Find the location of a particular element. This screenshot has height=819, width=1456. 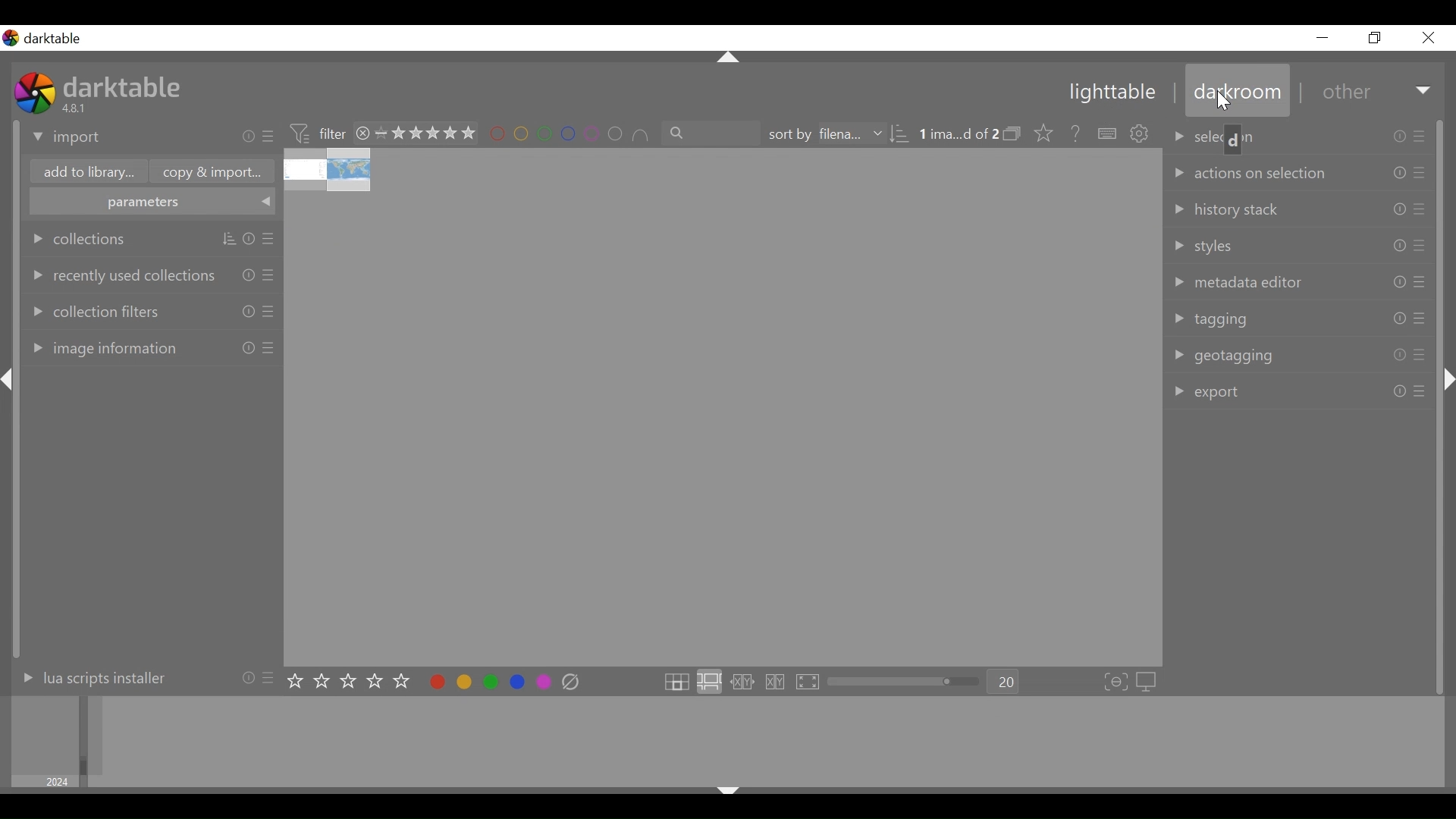

 is located at coordinates (1396, 139).